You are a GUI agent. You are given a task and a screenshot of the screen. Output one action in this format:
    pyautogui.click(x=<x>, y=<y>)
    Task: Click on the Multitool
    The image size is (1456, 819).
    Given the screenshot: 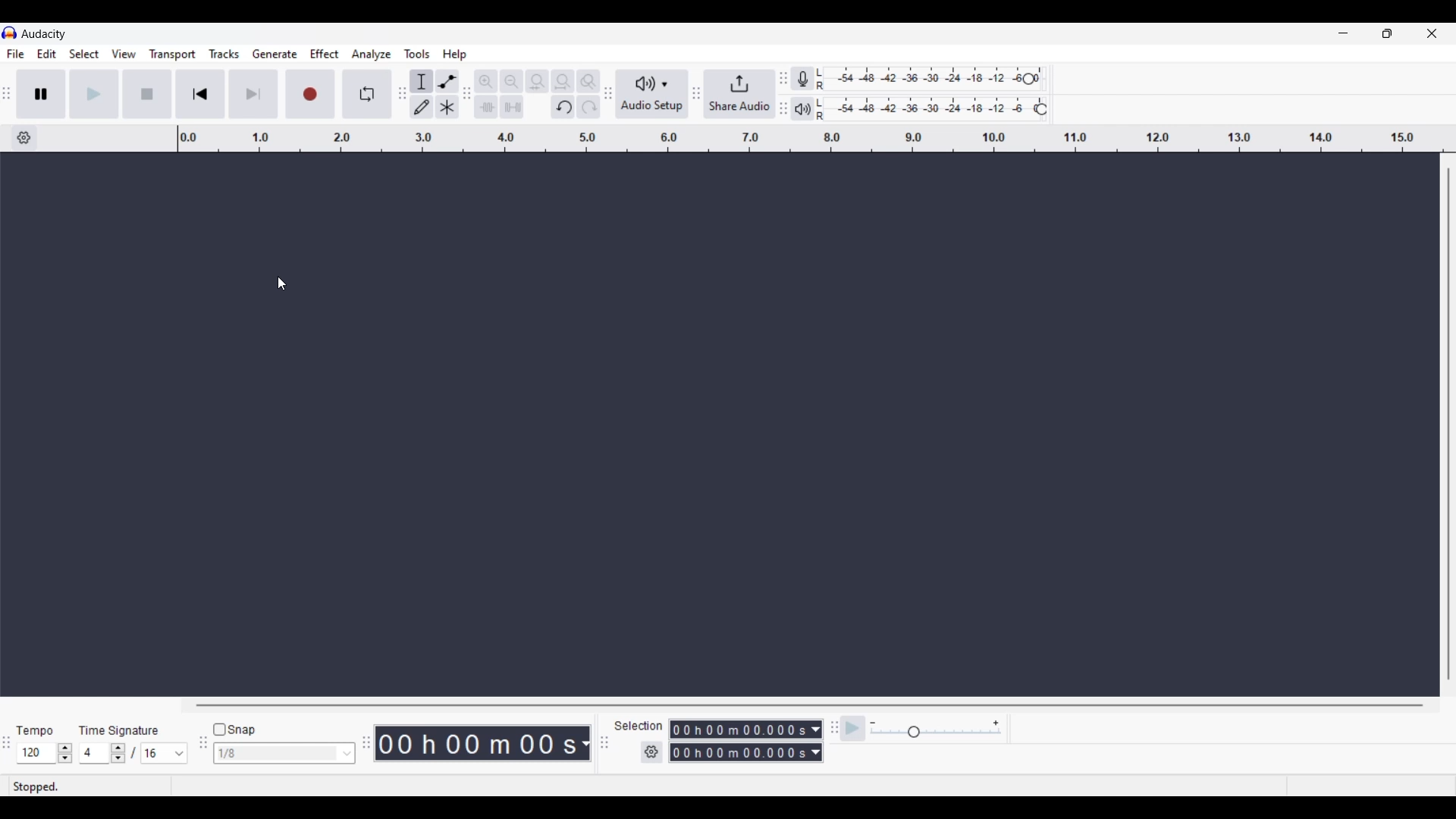 What is the action you would take?
    pyautogui.click(x=447, y=108)
    